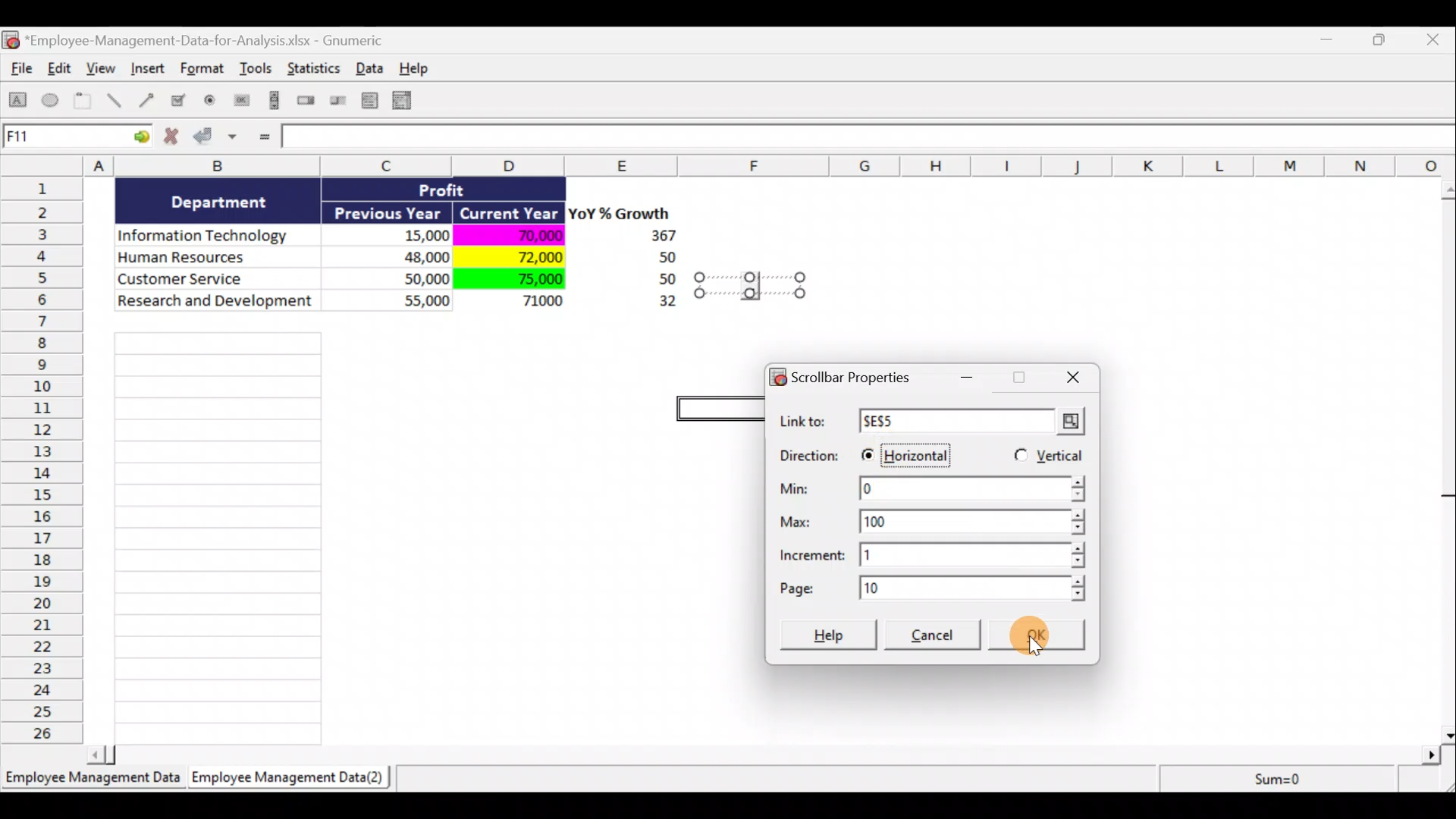 This screenshot has width=1456, height=819. I want to click on Horizontal, so click(908, 452).